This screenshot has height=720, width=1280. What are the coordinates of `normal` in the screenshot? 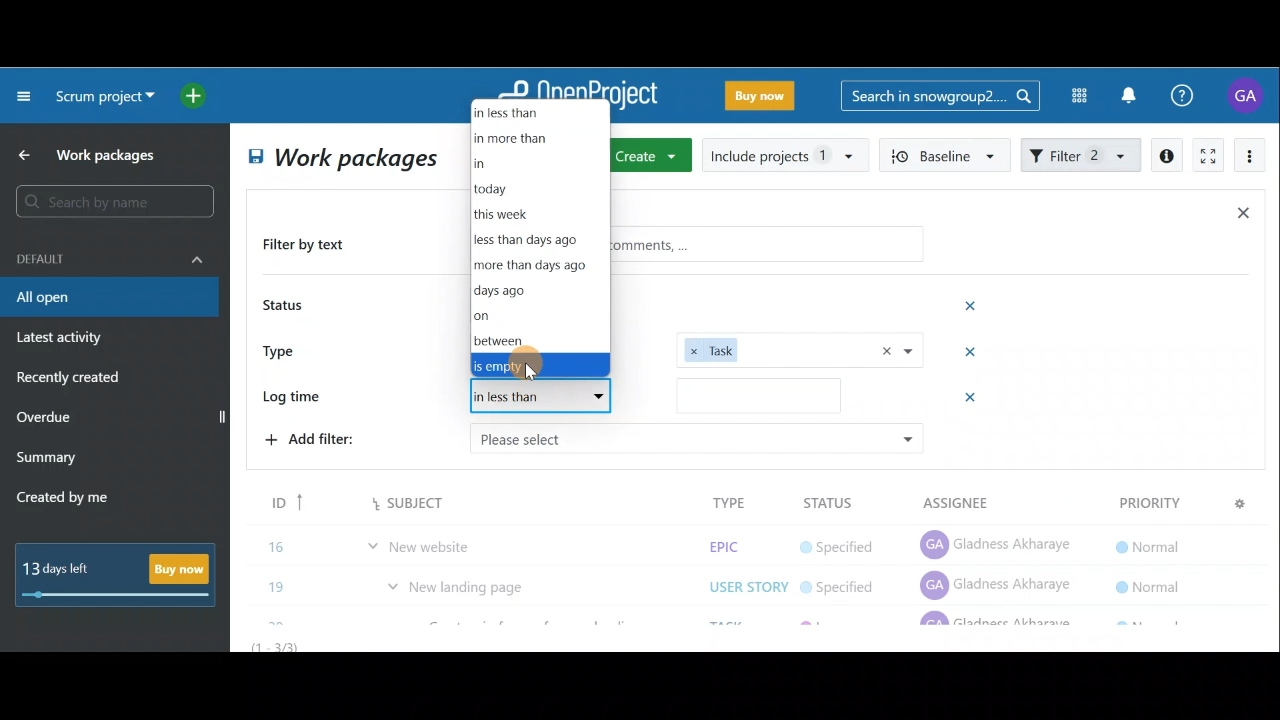 It's located at (1146, 540).